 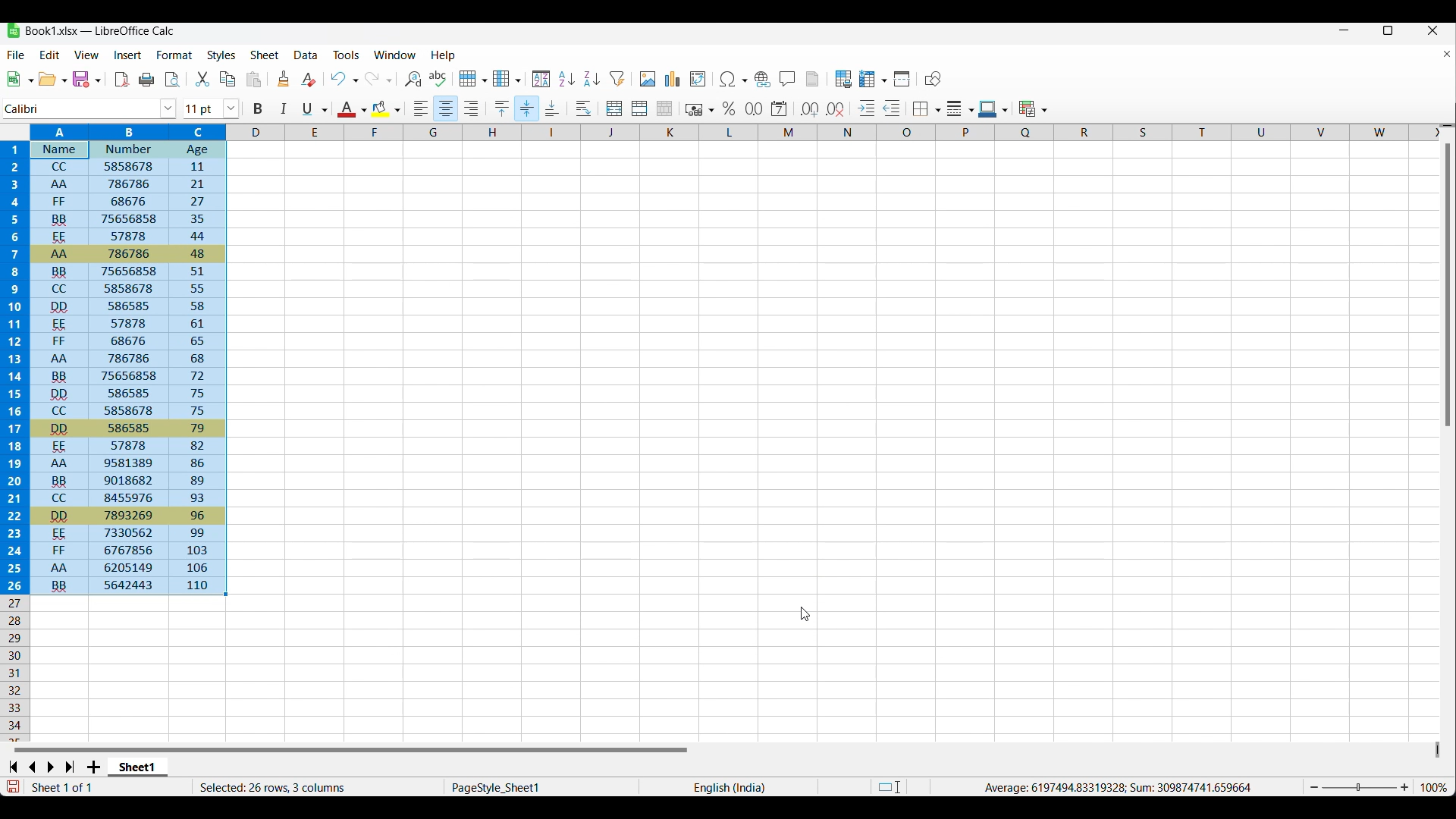 What do you see at coordinates (351, 749) in the screenshot?
I see `Horizontal slide bar` at bounding box center [351, 749].